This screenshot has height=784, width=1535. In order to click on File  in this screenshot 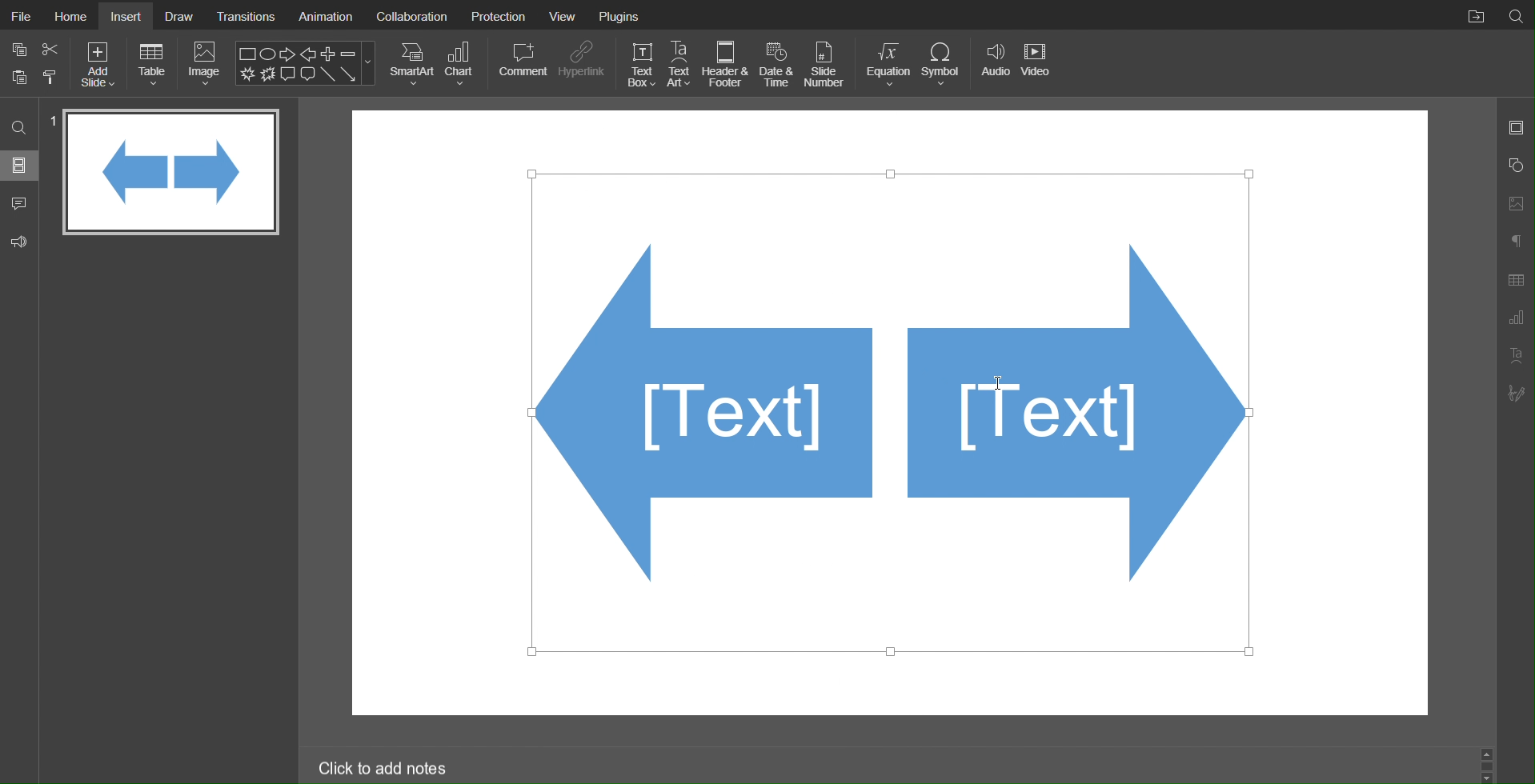, I will do `click(19, 14)`.